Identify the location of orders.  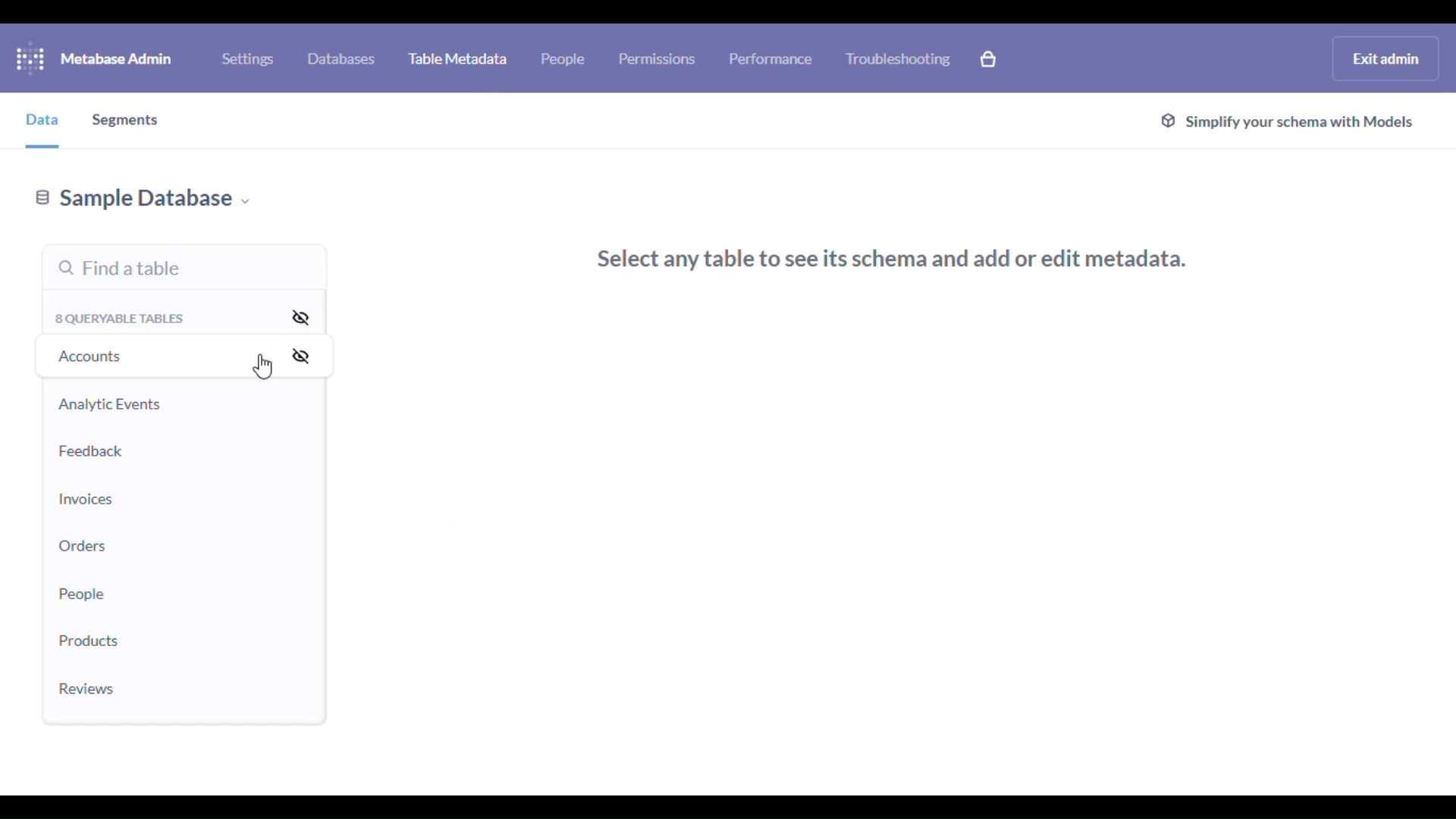
(83, 545).